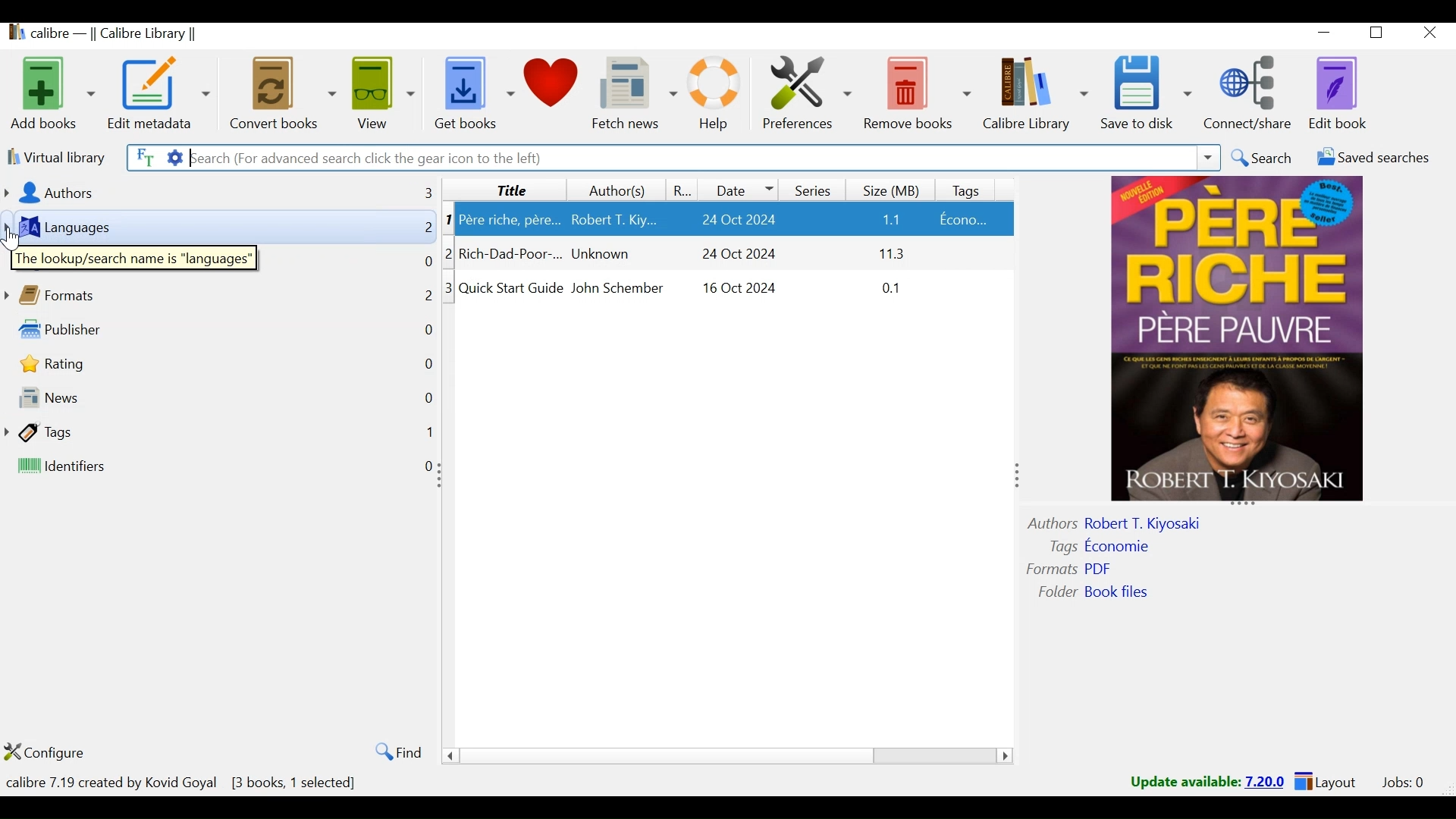 This screenshot has width=1456, height=819. I want to click on Languages, so click(89, 227).